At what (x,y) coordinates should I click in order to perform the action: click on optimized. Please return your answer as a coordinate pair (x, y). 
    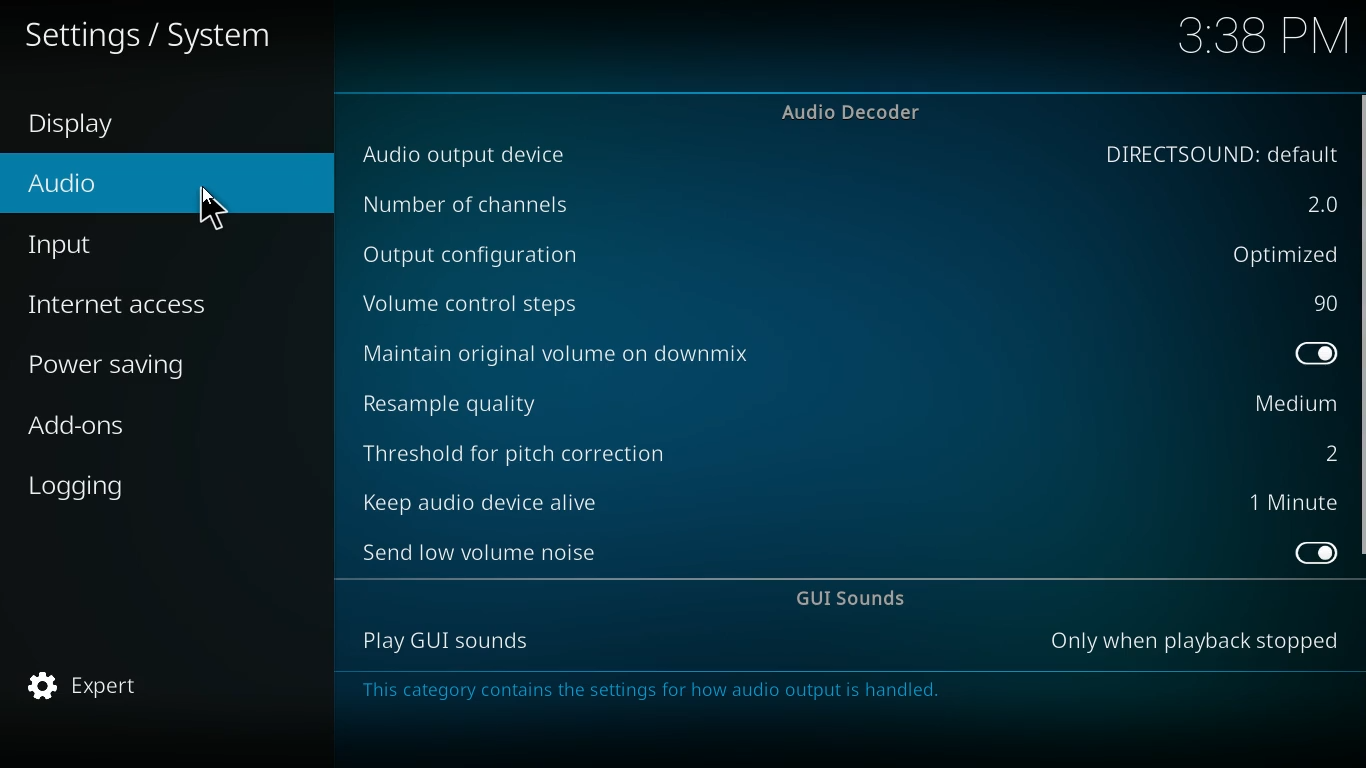
    Looking at the image, I should click on (1276, 254).